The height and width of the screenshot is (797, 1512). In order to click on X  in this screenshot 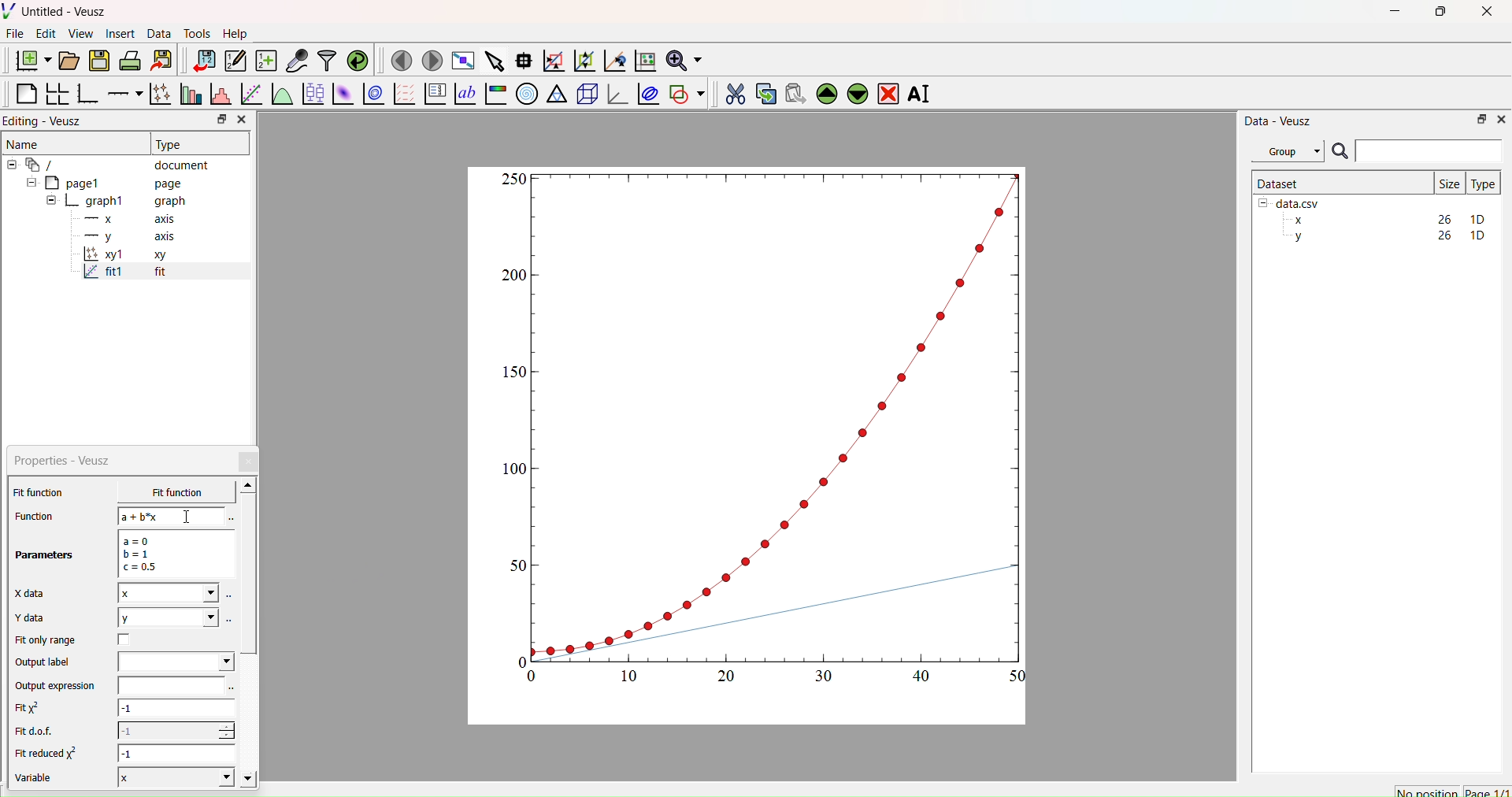, I will do `click(173, 777)`.